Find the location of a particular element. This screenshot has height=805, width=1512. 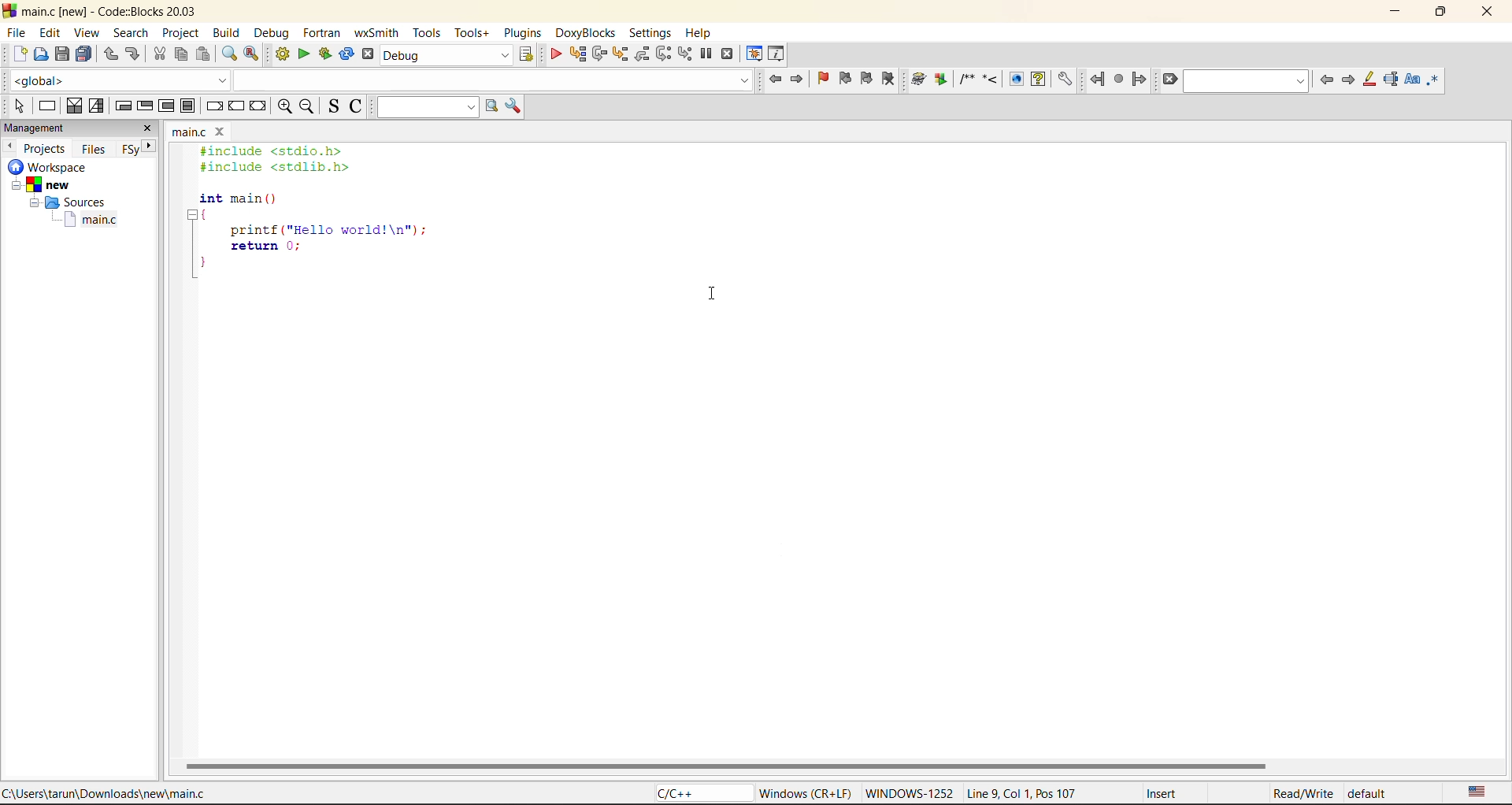

build is located at coordinates (283, 54).